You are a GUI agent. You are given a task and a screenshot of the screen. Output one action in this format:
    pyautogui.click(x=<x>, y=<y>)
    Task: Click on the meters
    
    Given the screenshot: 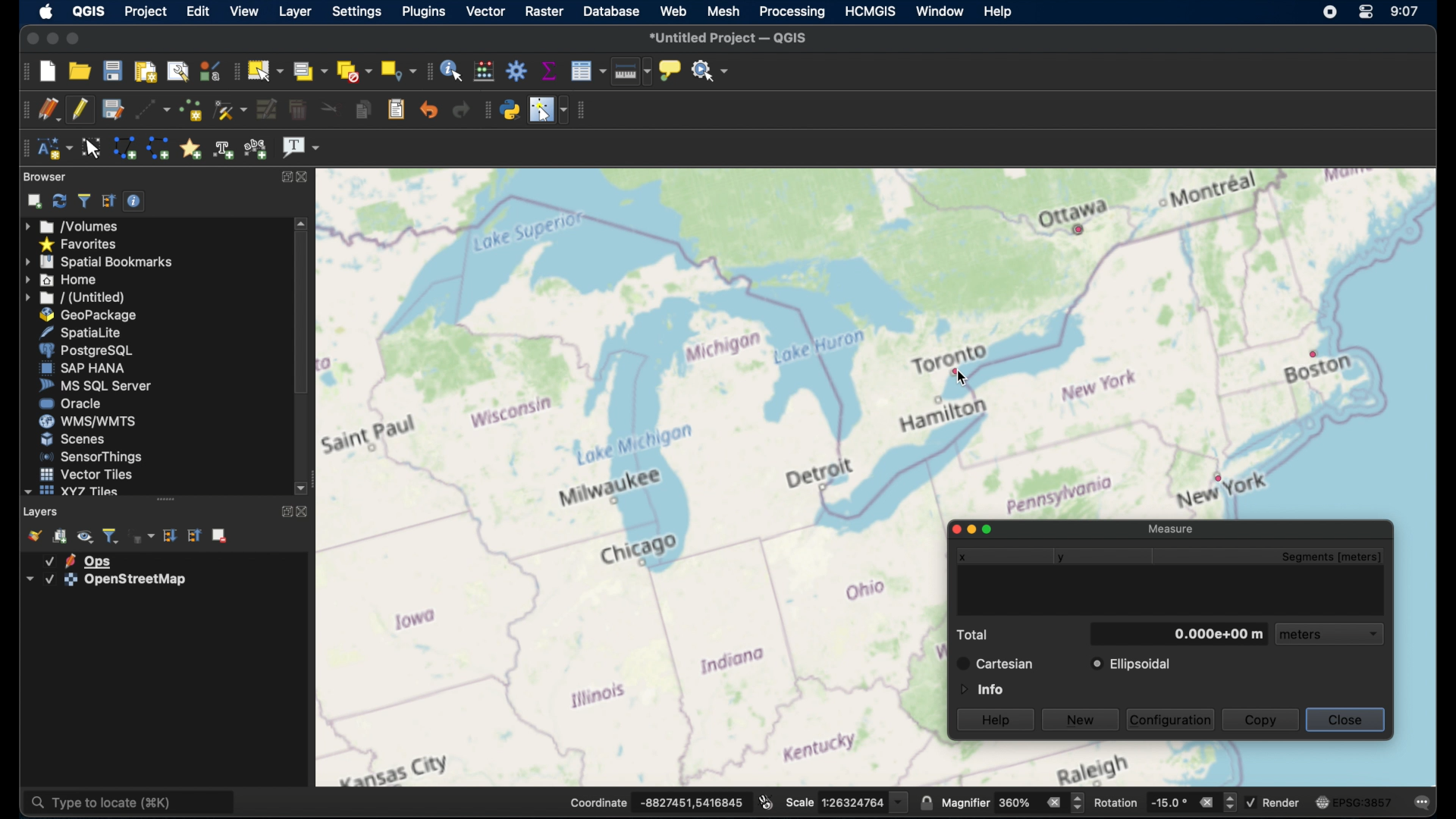 What is the action you would take?
    pyautogui.click(x=1180, y=634)
    